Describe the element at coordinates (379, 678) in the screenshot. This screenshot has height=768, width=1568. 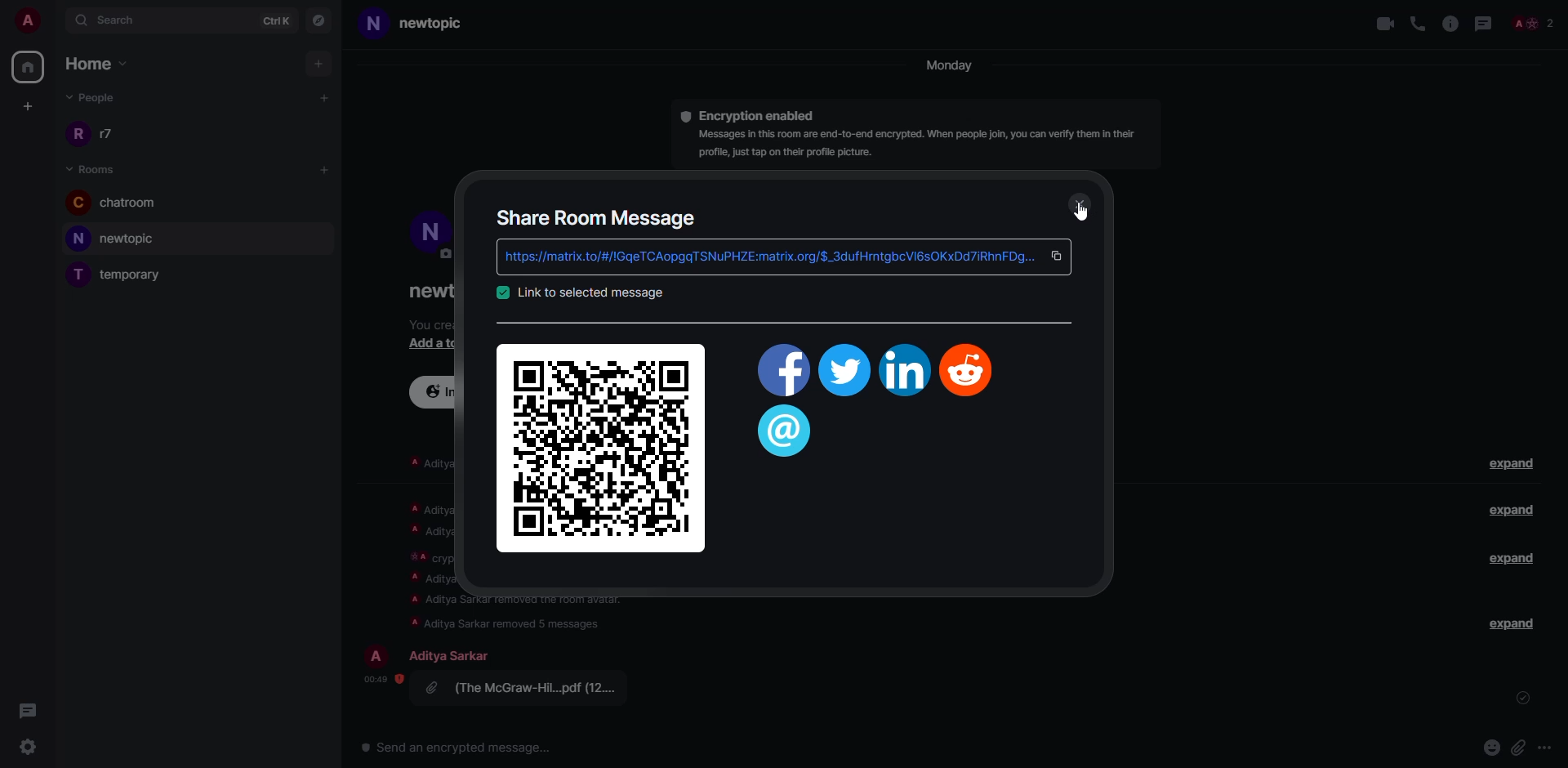
I see `time` at that location.